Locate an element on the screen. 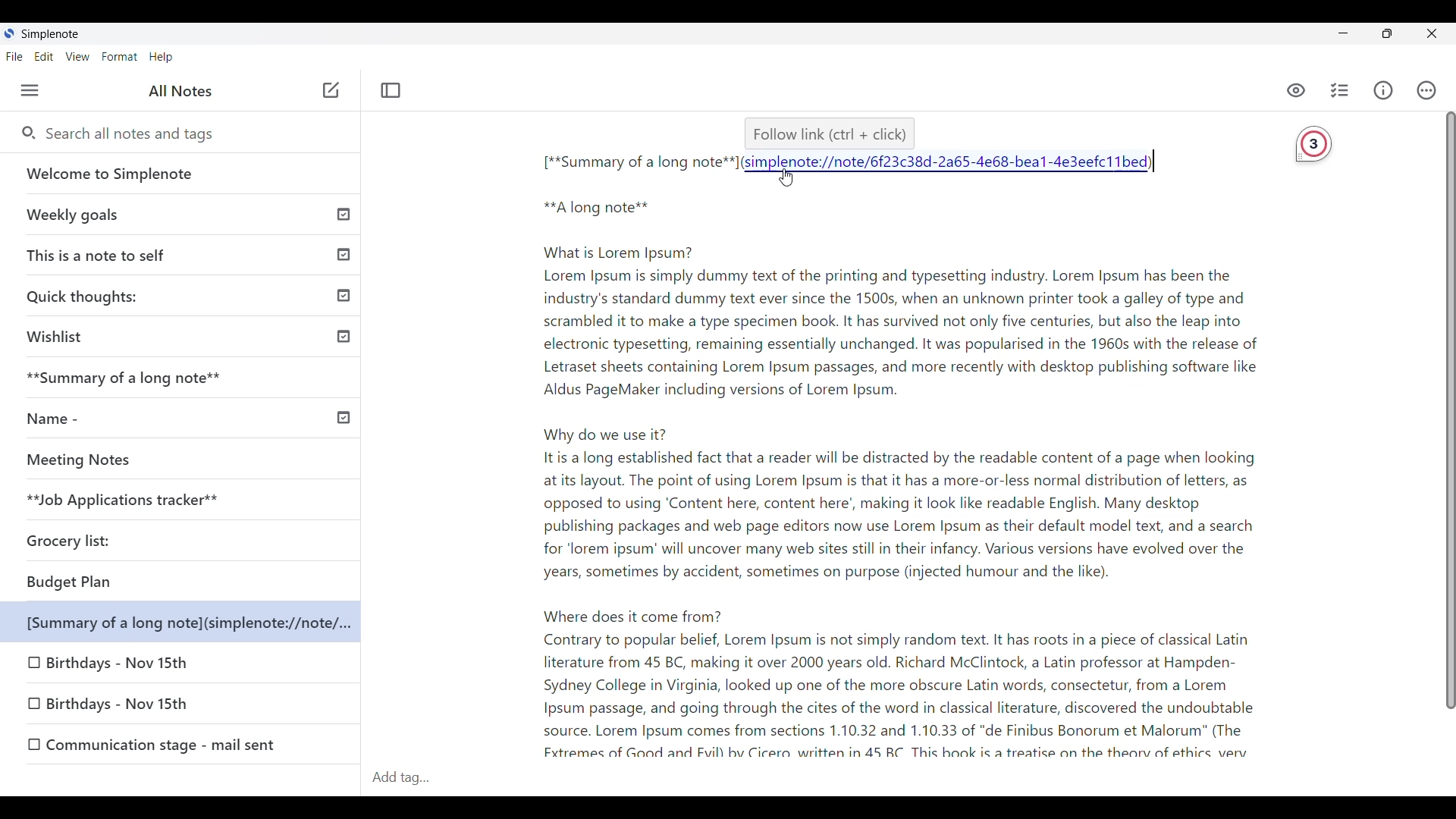  This is a note to self is located at coordinates (184, 252).